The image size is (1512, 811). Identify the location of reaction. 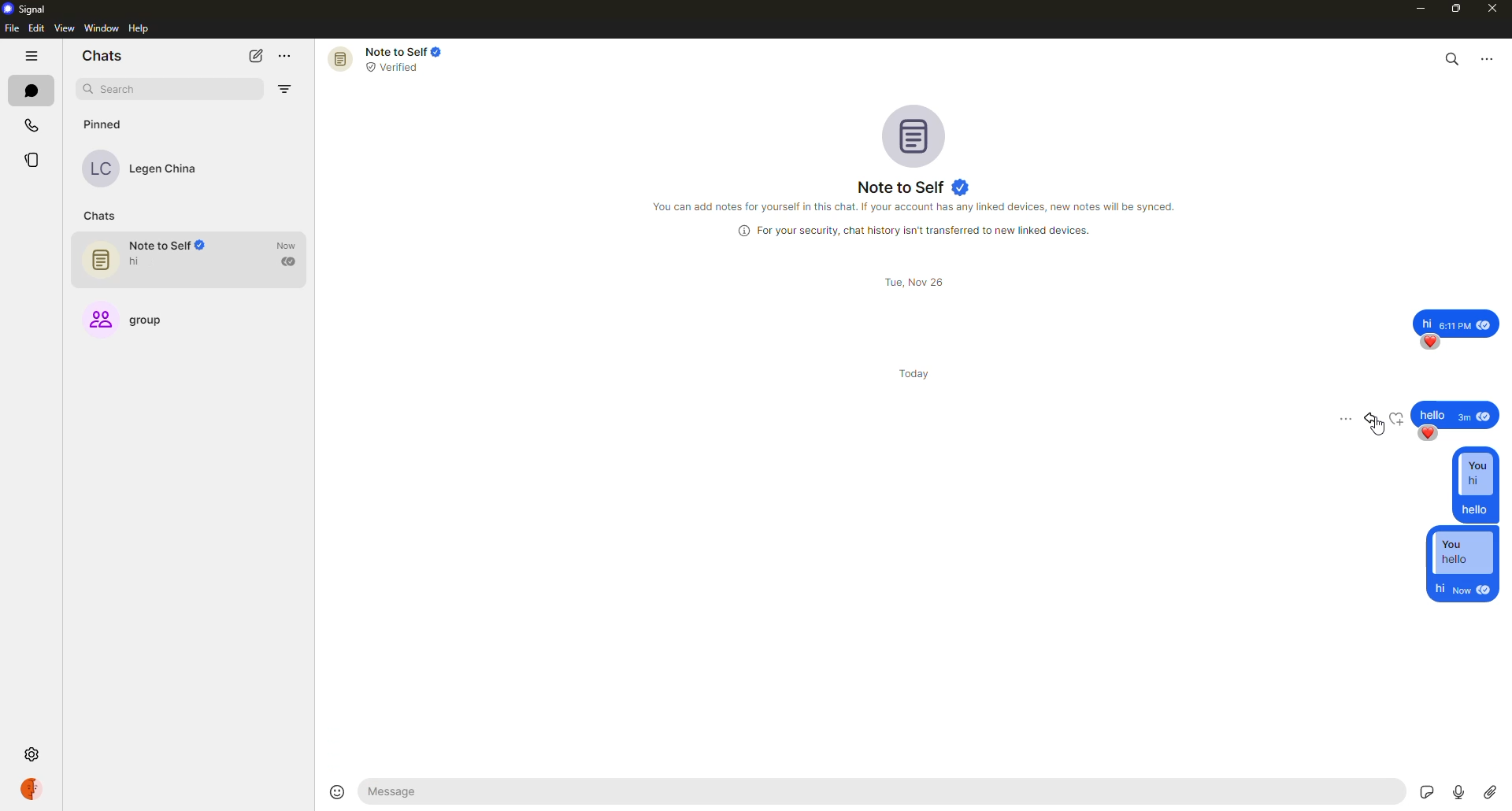
(1398, 423).